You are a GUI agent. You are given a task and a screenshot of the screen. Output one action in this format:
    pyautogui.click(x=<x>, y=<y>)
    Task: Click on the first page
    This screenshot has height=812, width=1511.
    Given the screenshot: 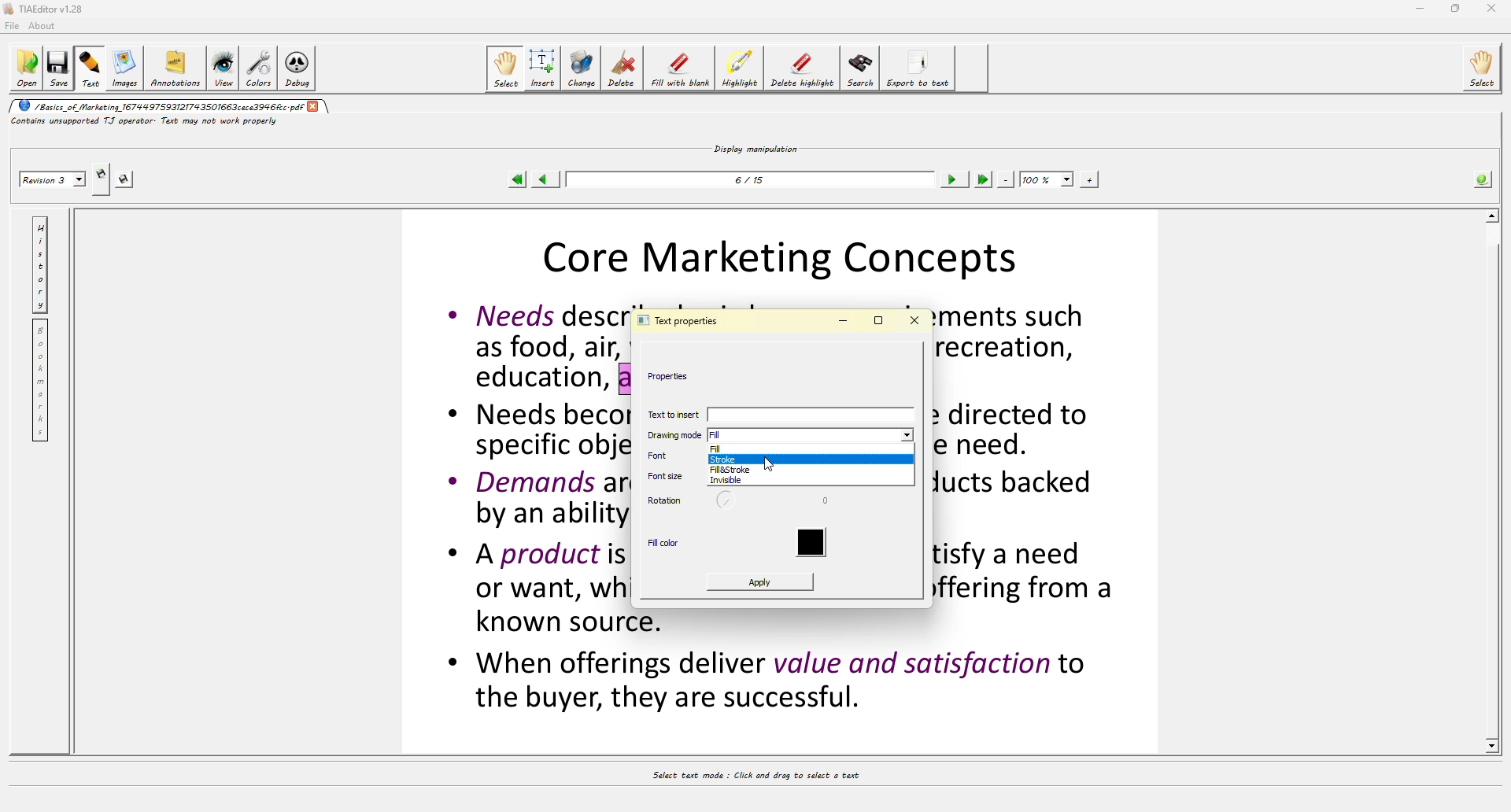 What is the action you would take?
    pyautogui.click(x=517, y=180)
    